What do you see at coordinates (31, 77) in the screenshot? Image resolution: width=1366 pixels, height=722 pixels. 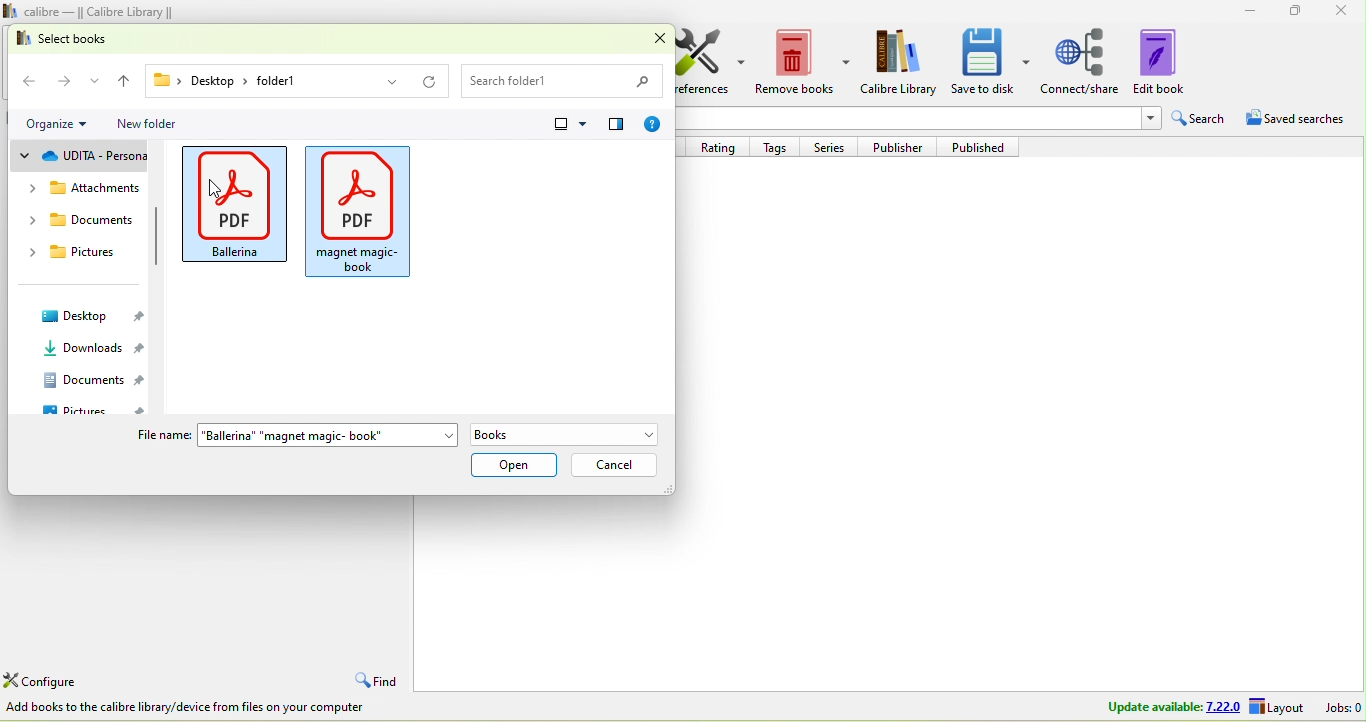 I see `back to the pc` at bounding box center [31, 77].